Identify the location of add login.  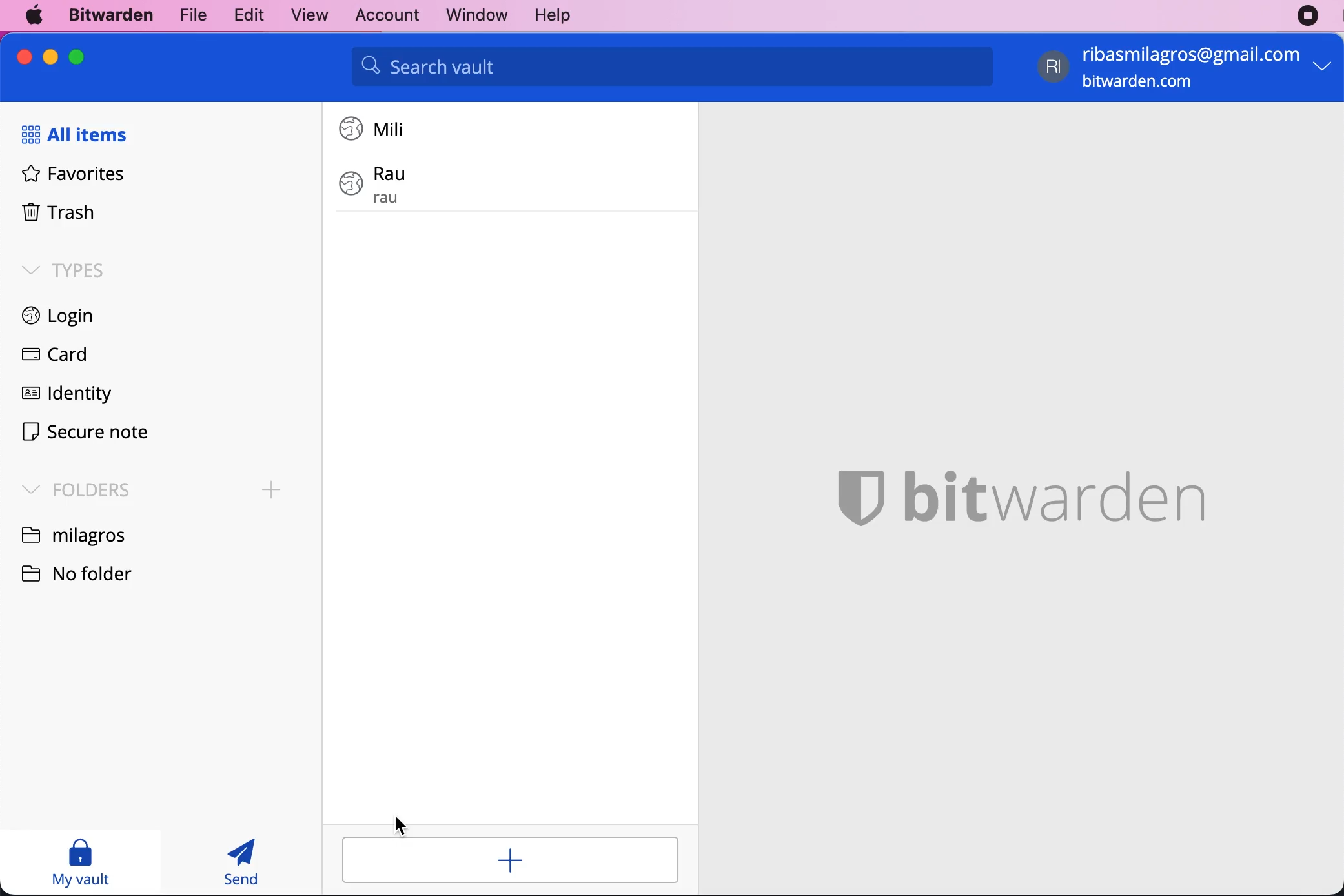
(509, 860).